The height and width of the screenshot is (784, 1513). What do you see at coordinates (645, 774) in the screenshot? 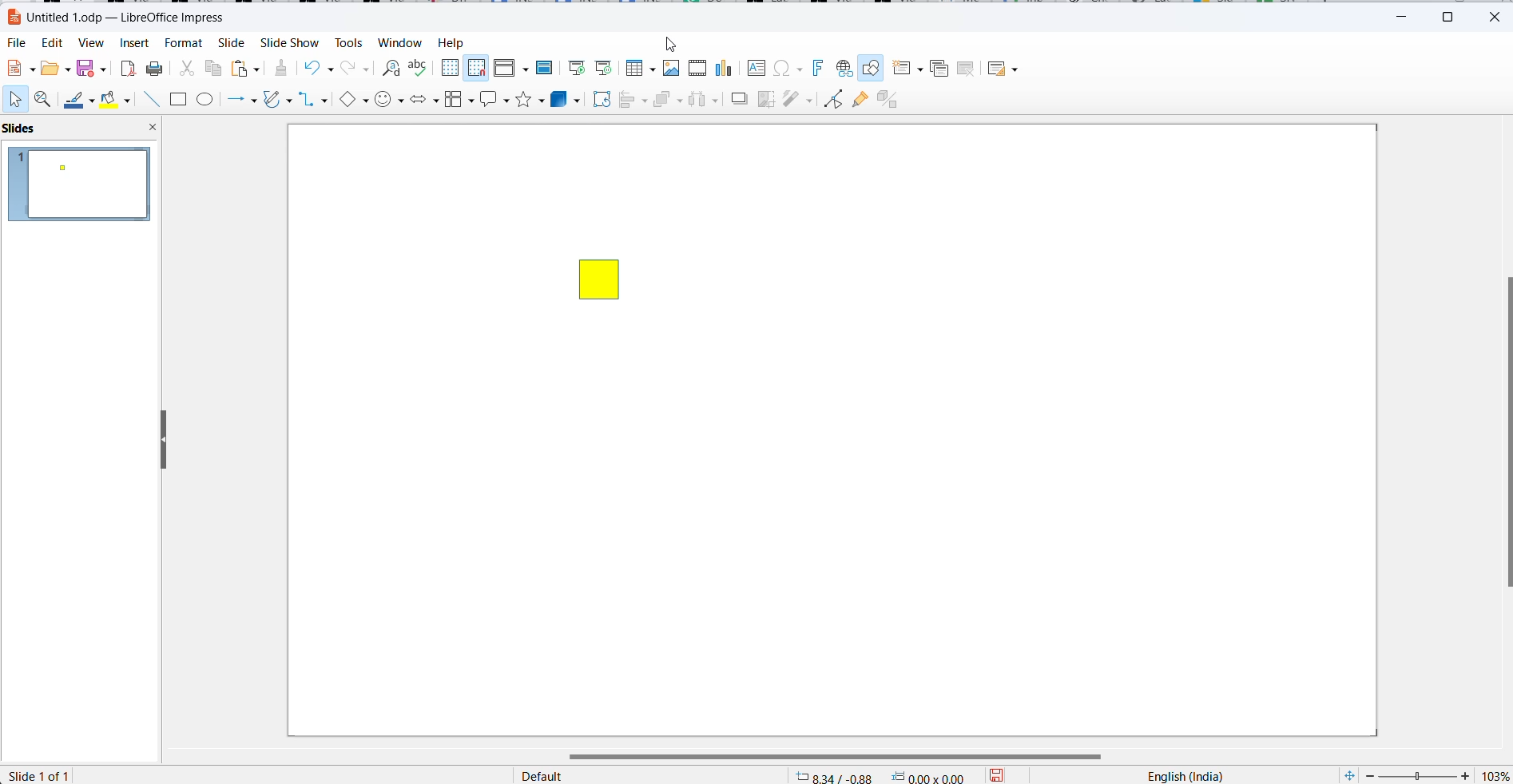
I see `page style` at bounding box center [645, 774].